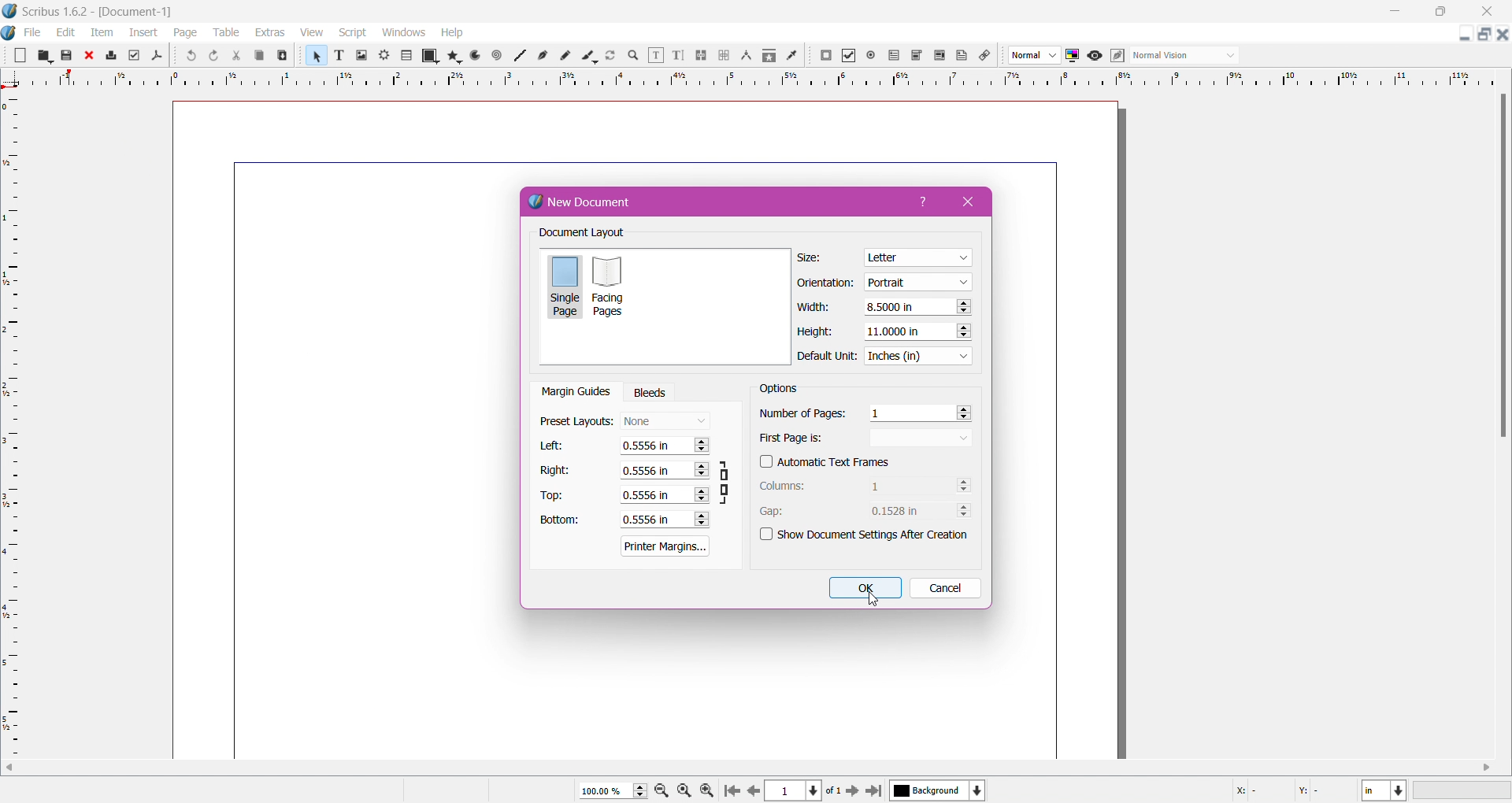  What do you see at coordinates (137, 56) in the screenshot?
I see `` at bounding box center [137, 56].